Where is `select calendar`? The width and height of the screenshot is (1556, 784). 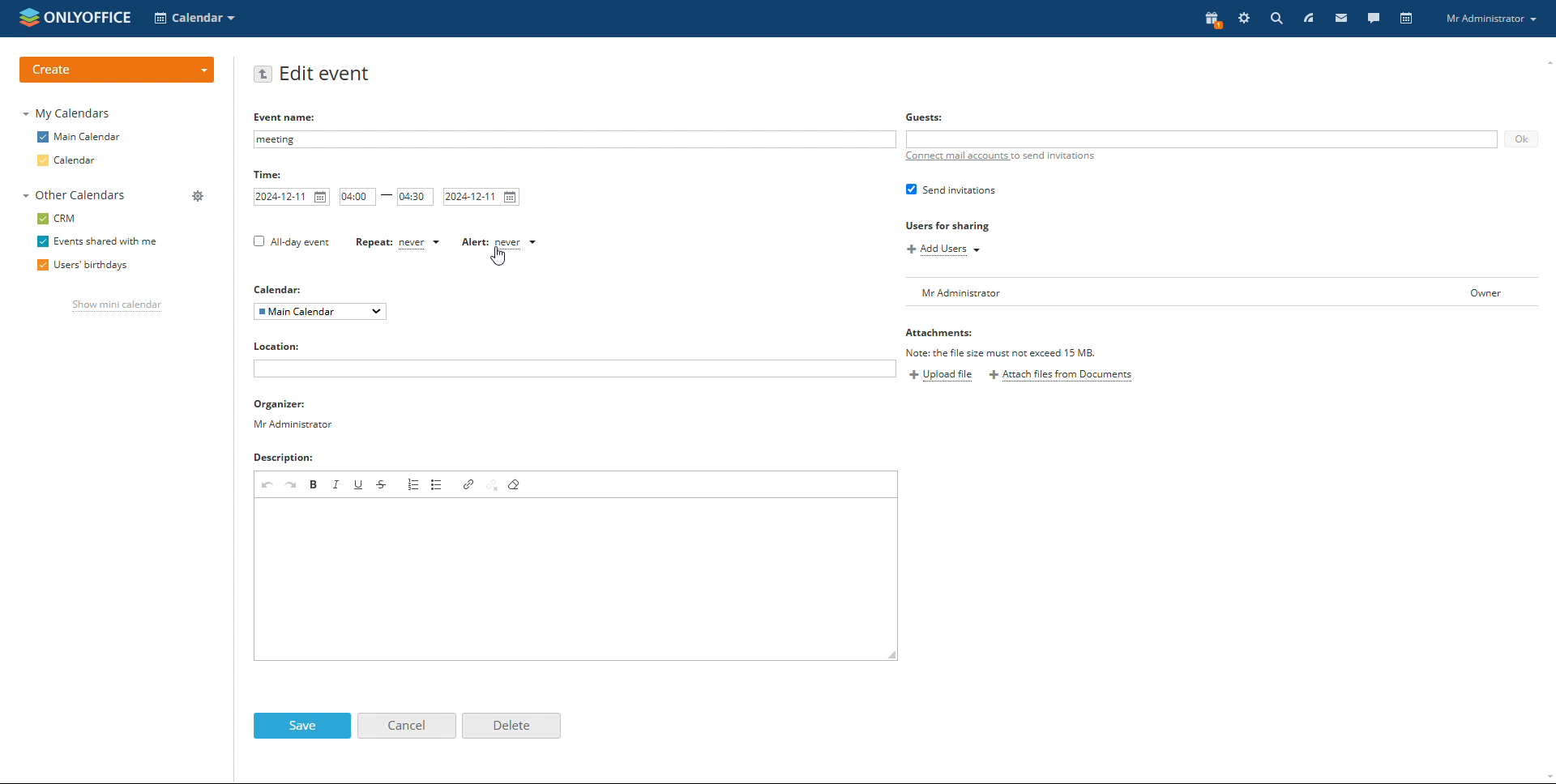 select calendar is located at coordinates (320, 312).